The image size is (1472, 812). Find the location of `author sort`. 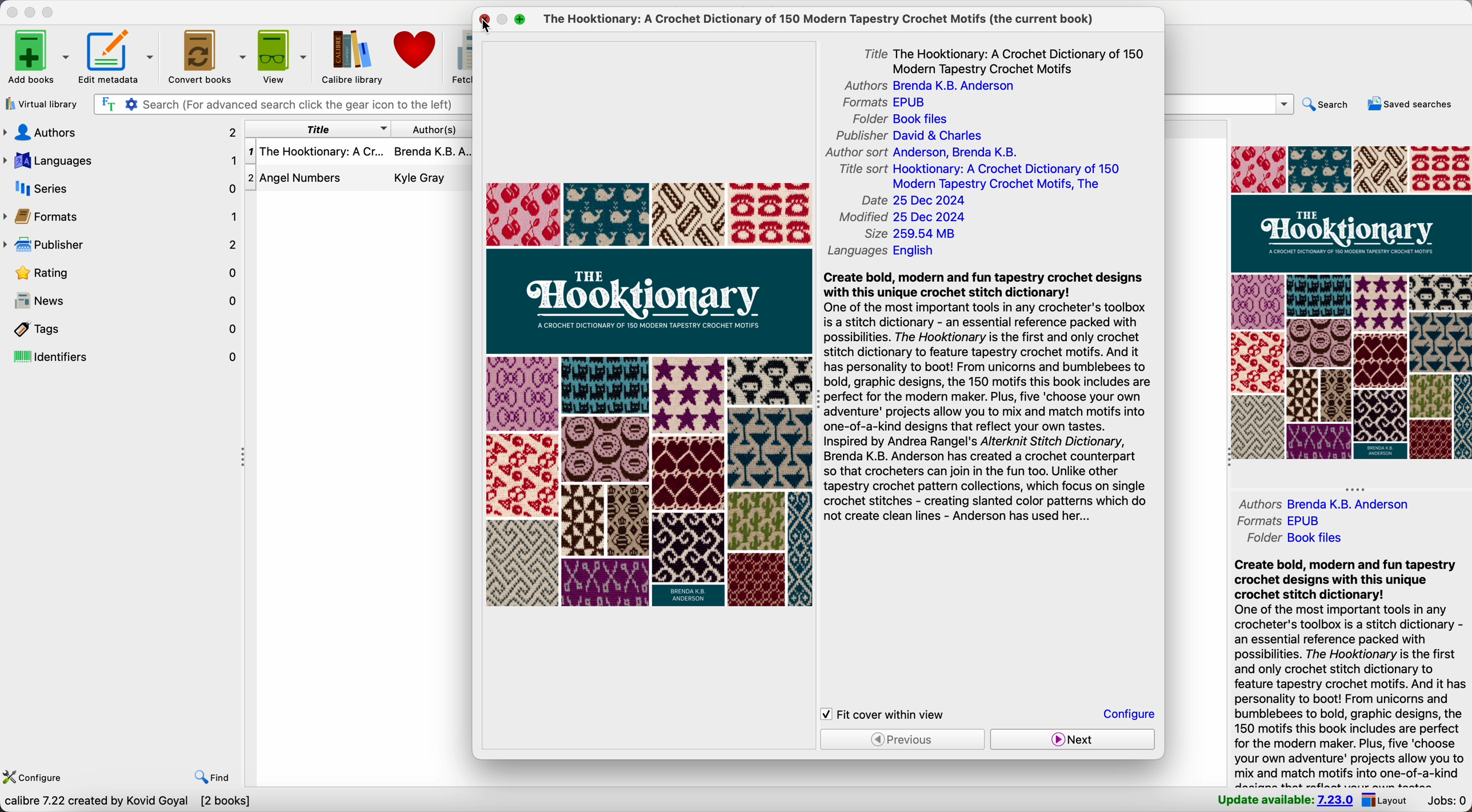

author sort is located at coordinates (919, 151).